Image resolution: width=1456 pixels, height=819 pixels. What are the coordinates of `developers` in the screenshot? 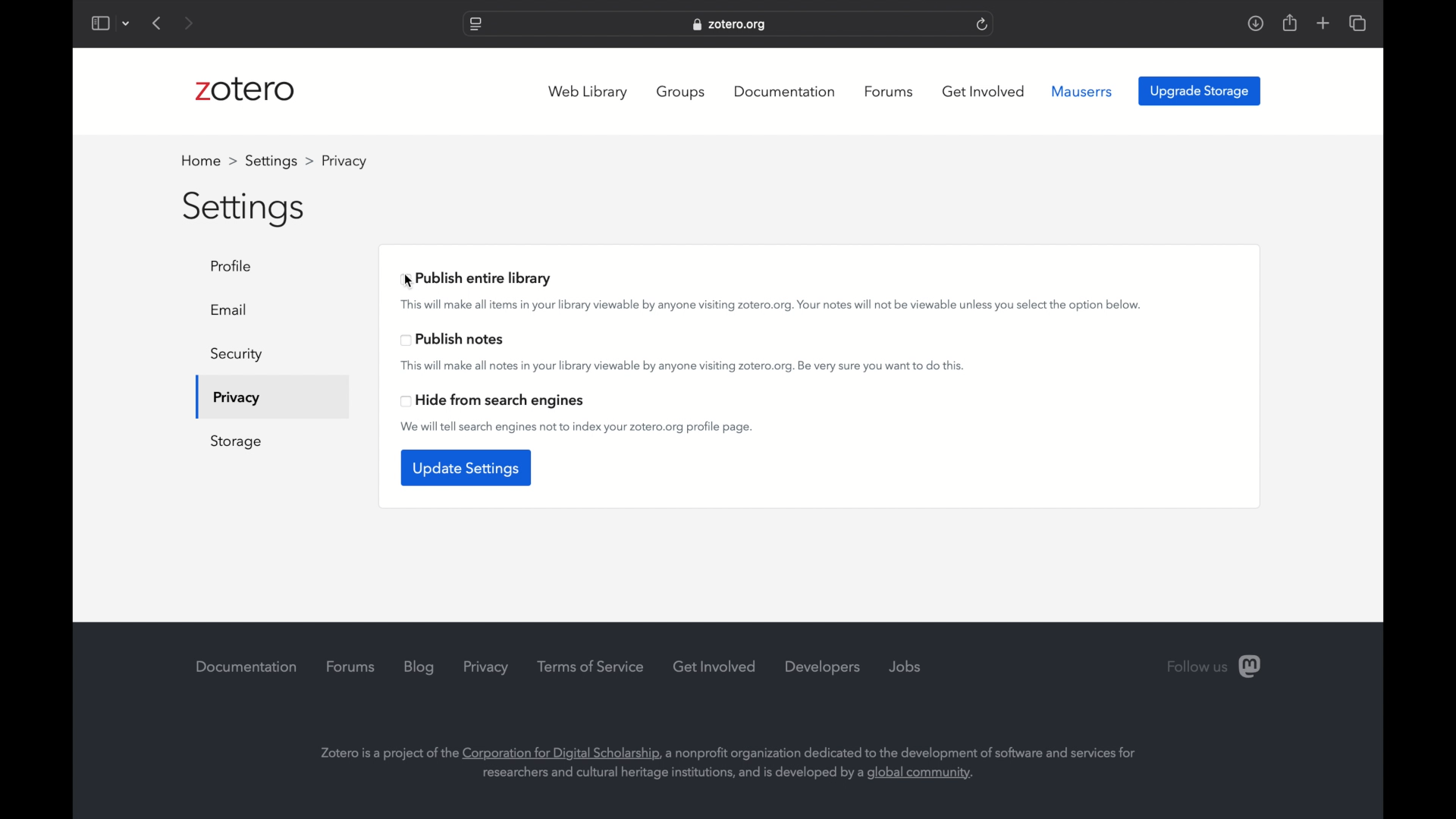 It's located at (823, 667).